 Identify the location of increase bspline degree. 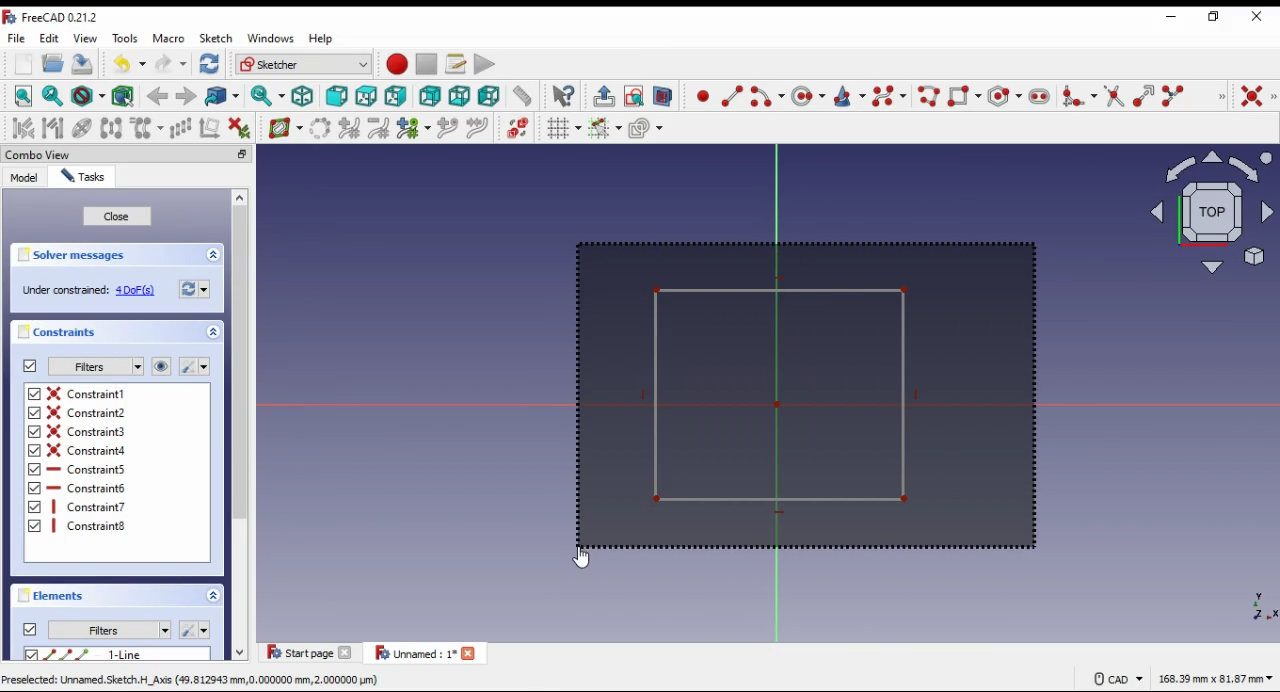
(350, 129).